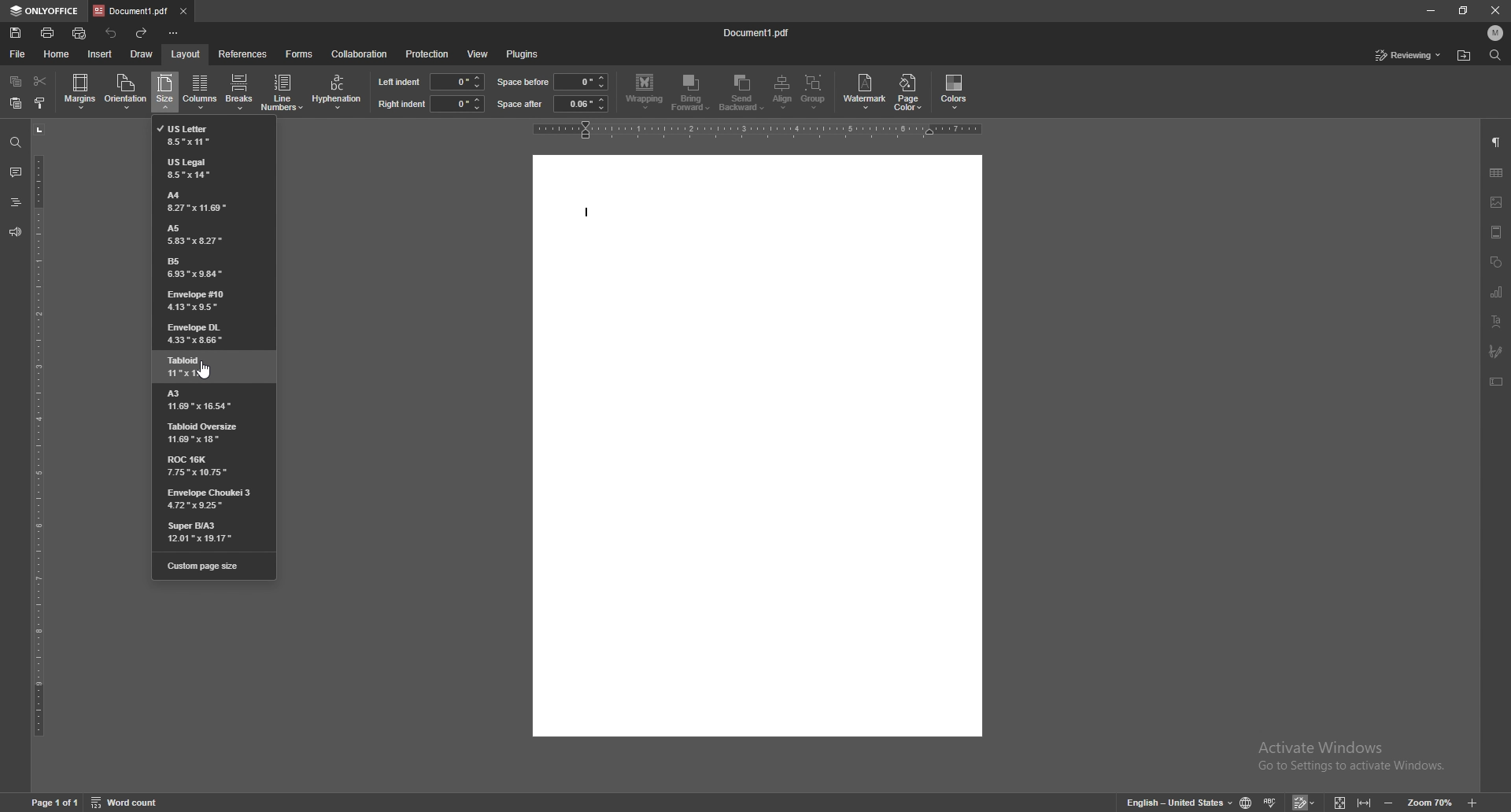  I want to click on comment, so click(16, 173).